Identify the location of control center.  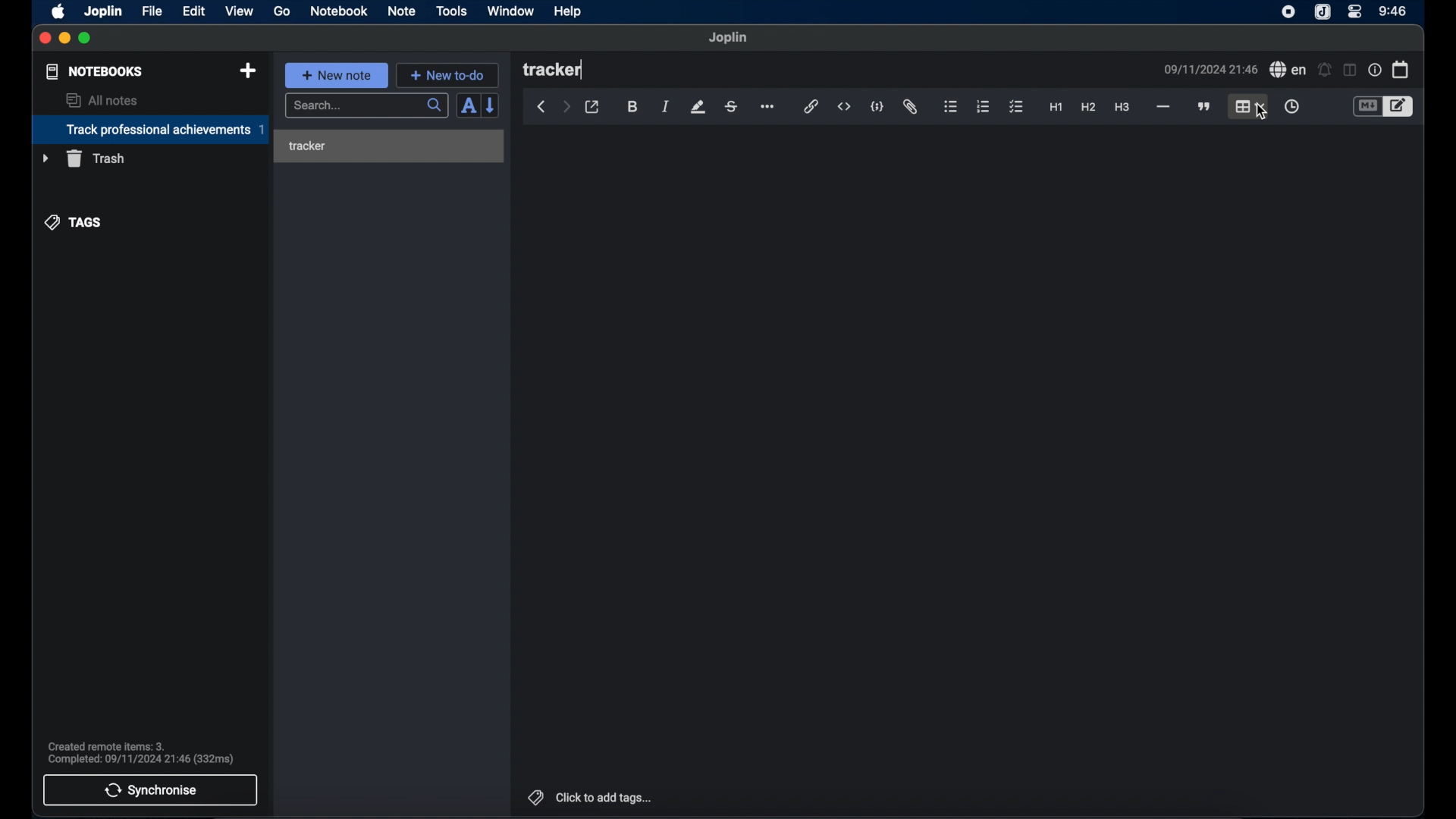
(1355, 12).